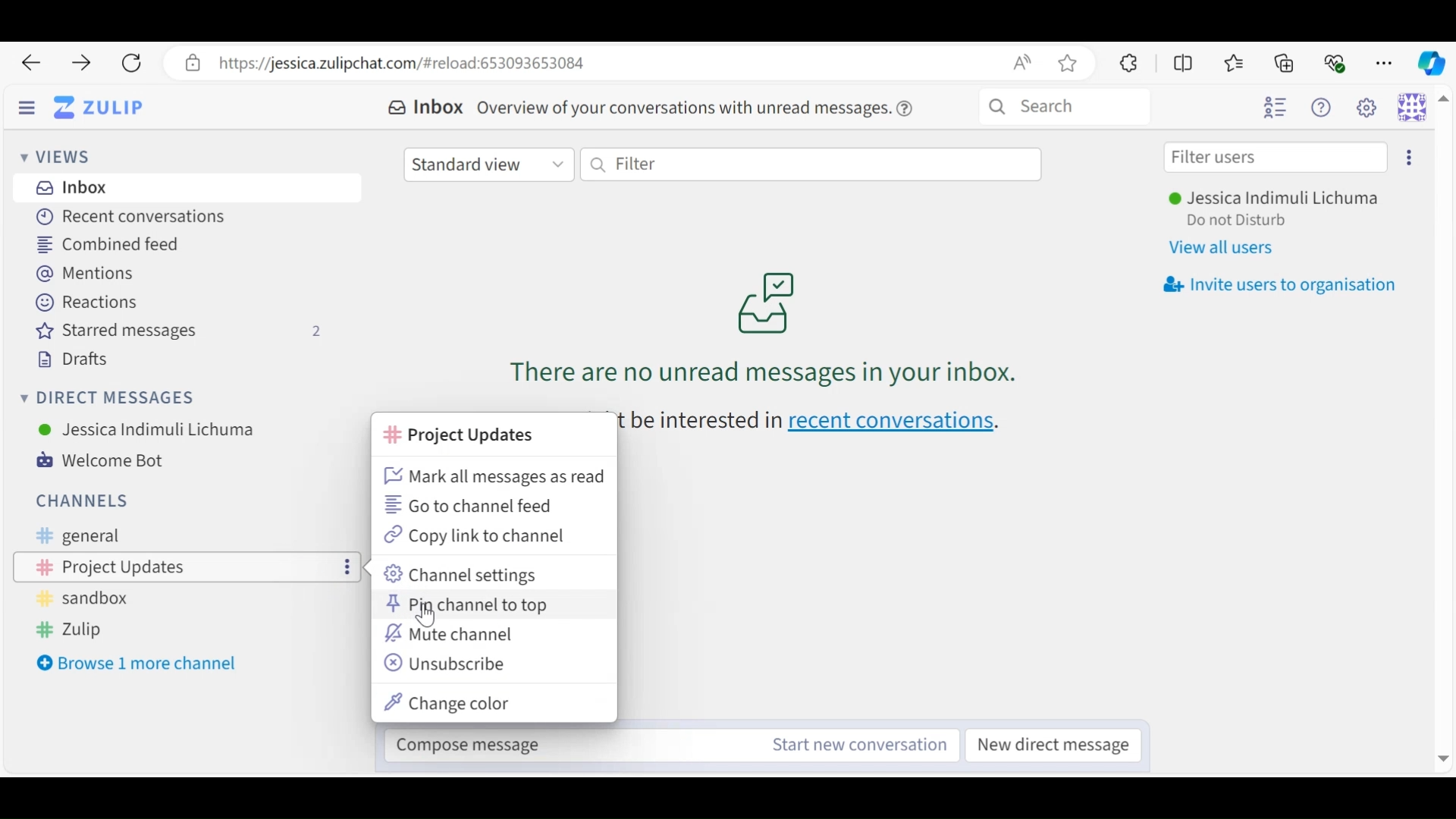  Describe the element at coordinates (456, 436) in the screenshot. I see `Channel Name` at that location.